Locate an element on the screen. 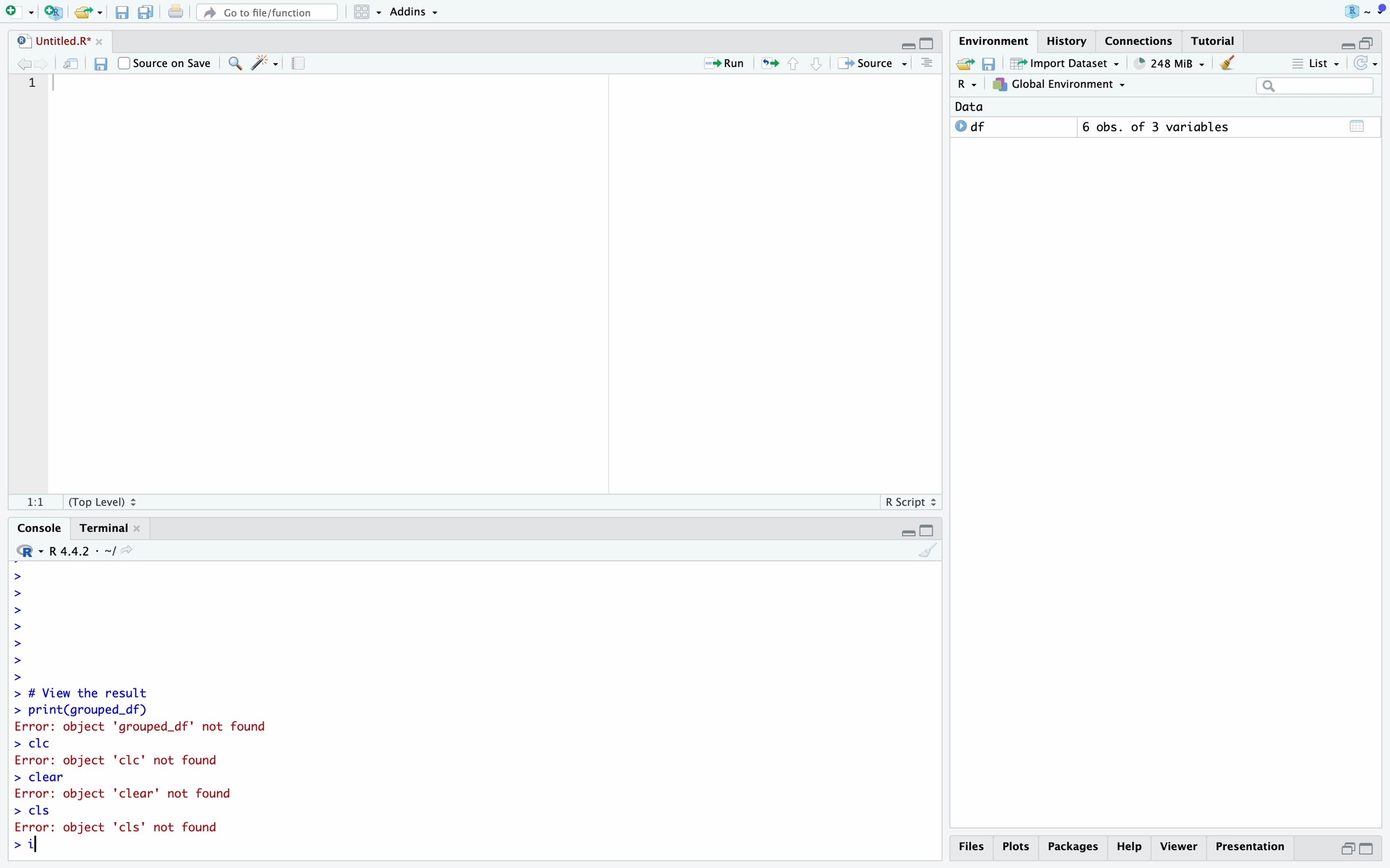 Image resolution: width=1390 pixels, height=868 pixels. Refresh list is located at coordinates (1365, 63).